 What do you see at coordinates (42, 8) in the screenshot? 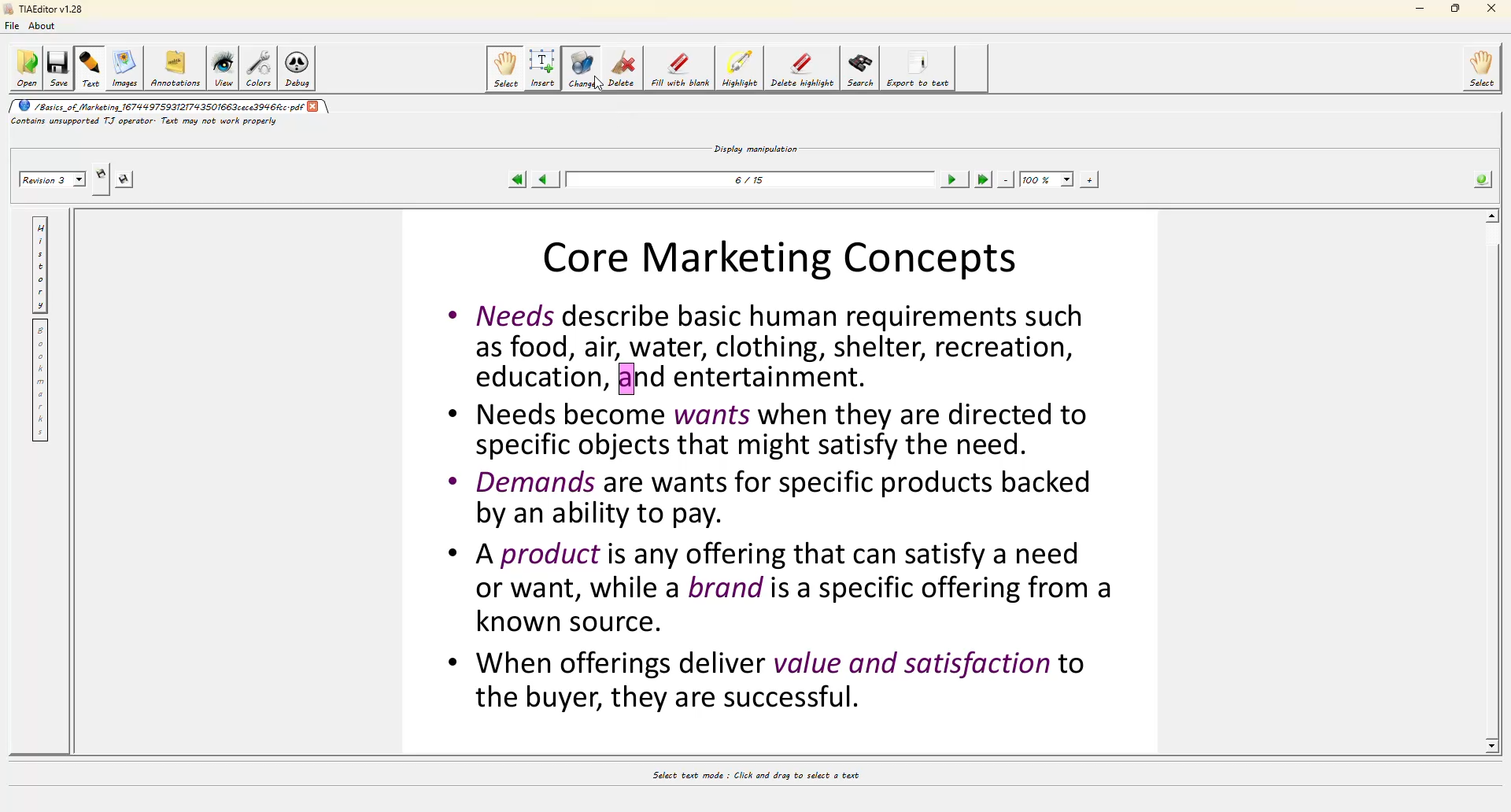
I see `TIAEditor v1.28` at bounding box center [42, 8].